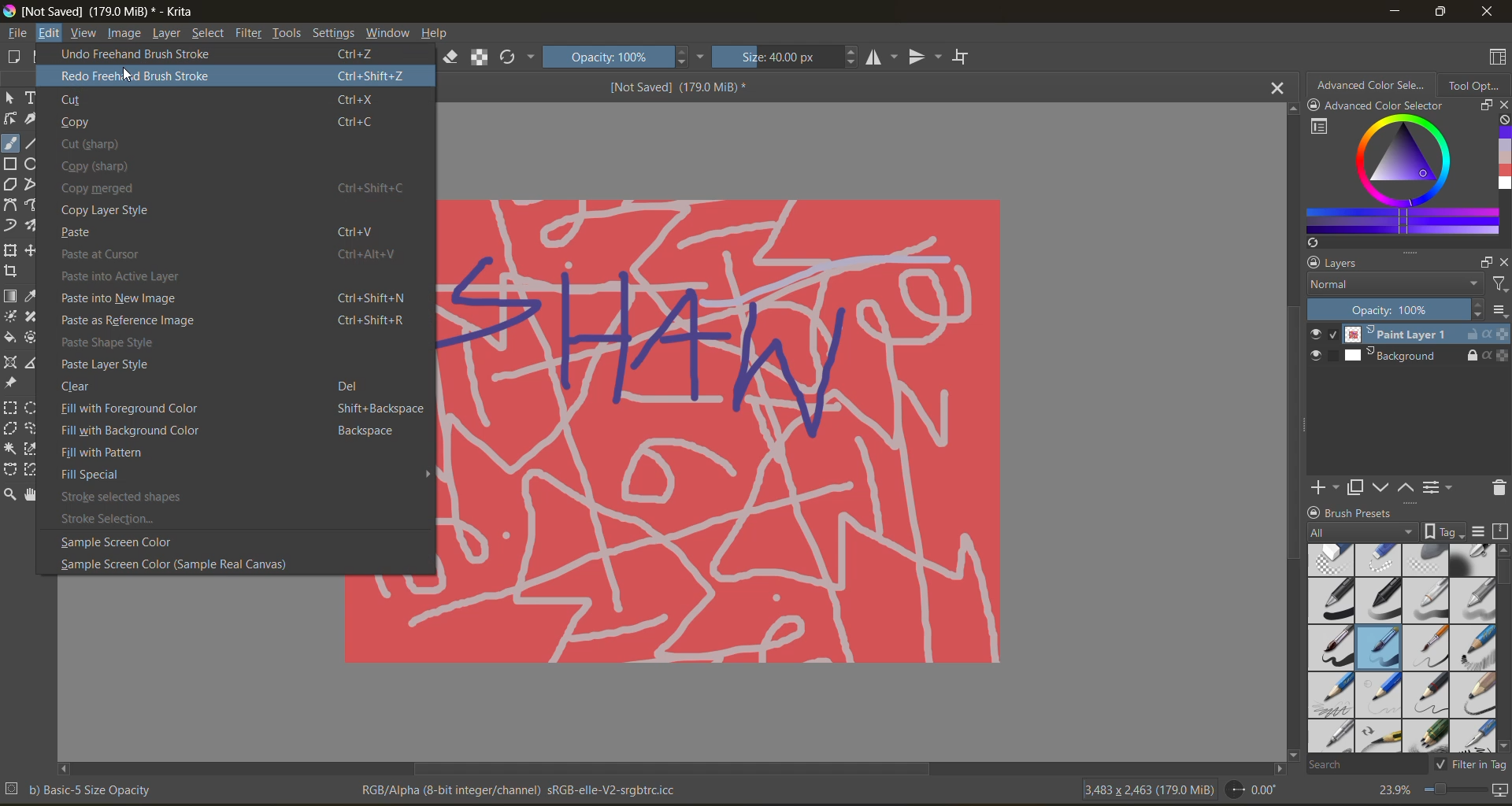 The width and height of the screenshot is (1512, 806). Describe the element at coordinates (34, 470) in the screenshot. I see `magnetic curve selection tool` at that location.